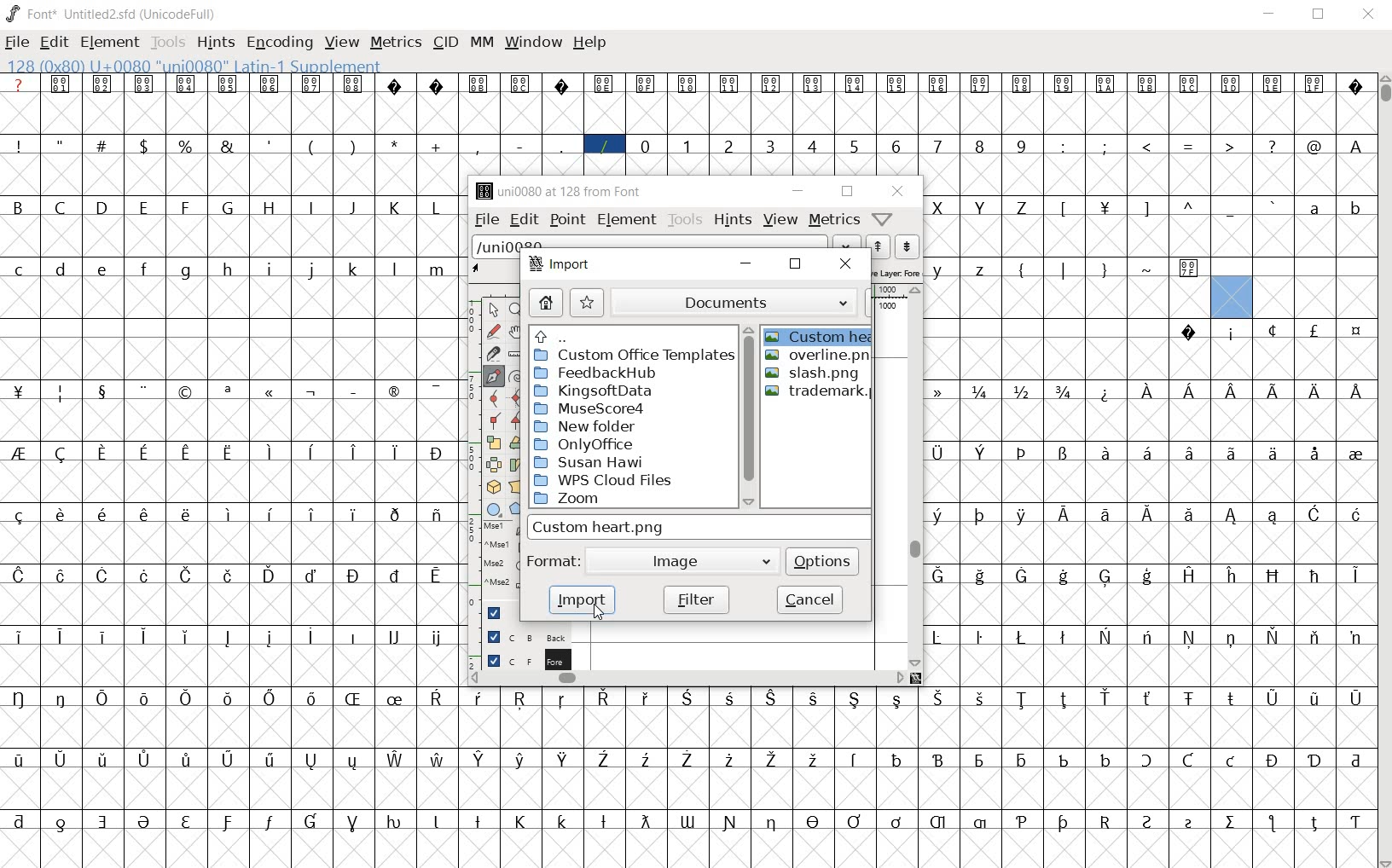 The image size is (1392, 868). What do you see at coordinates (1105, 697) in the screenshot?
I see `glyph` at bounding box center [1105, 697].